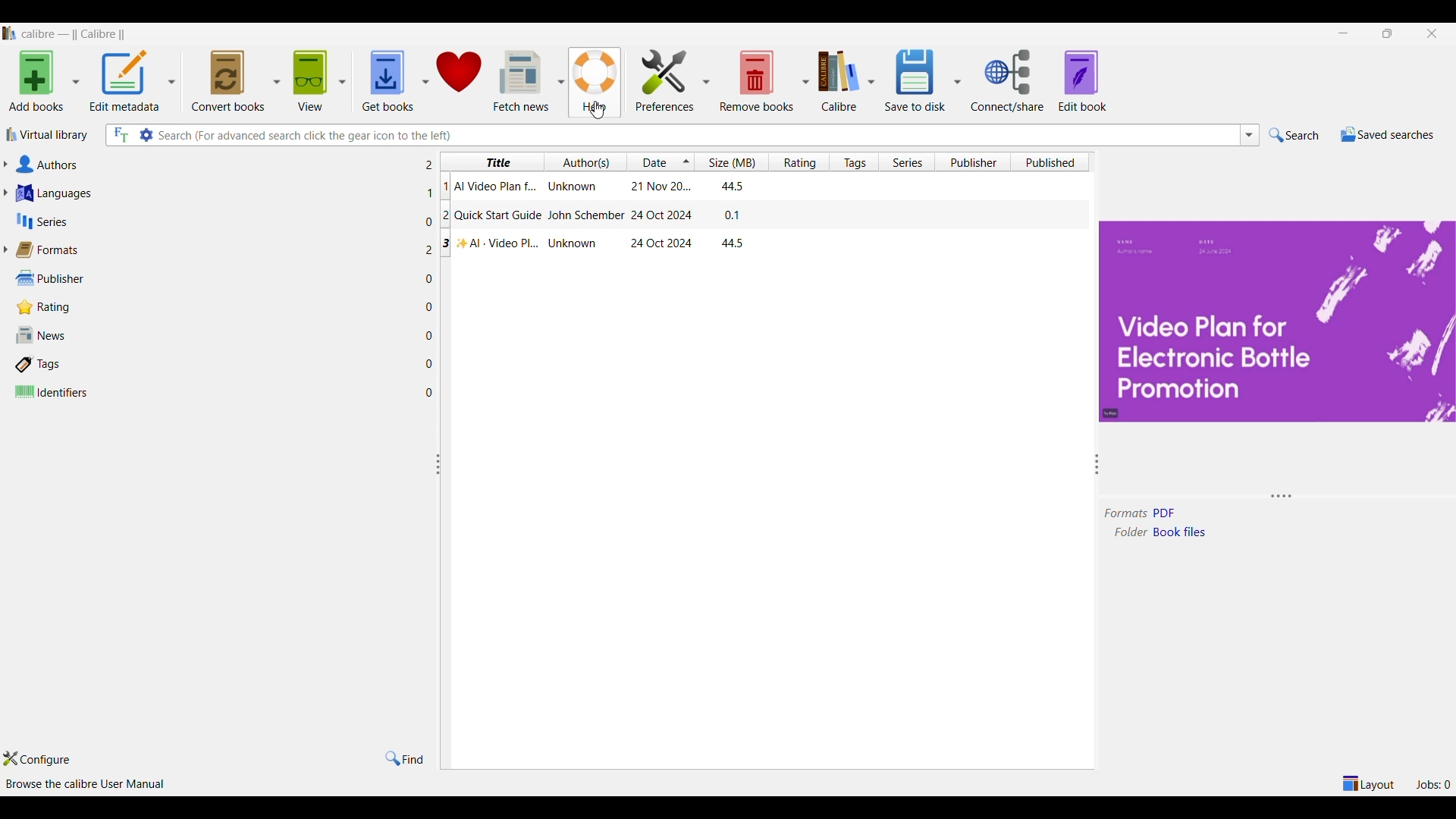 The height and width of the screenshot is (819, 1456). I want to click on Add book options, so click(77, 81).